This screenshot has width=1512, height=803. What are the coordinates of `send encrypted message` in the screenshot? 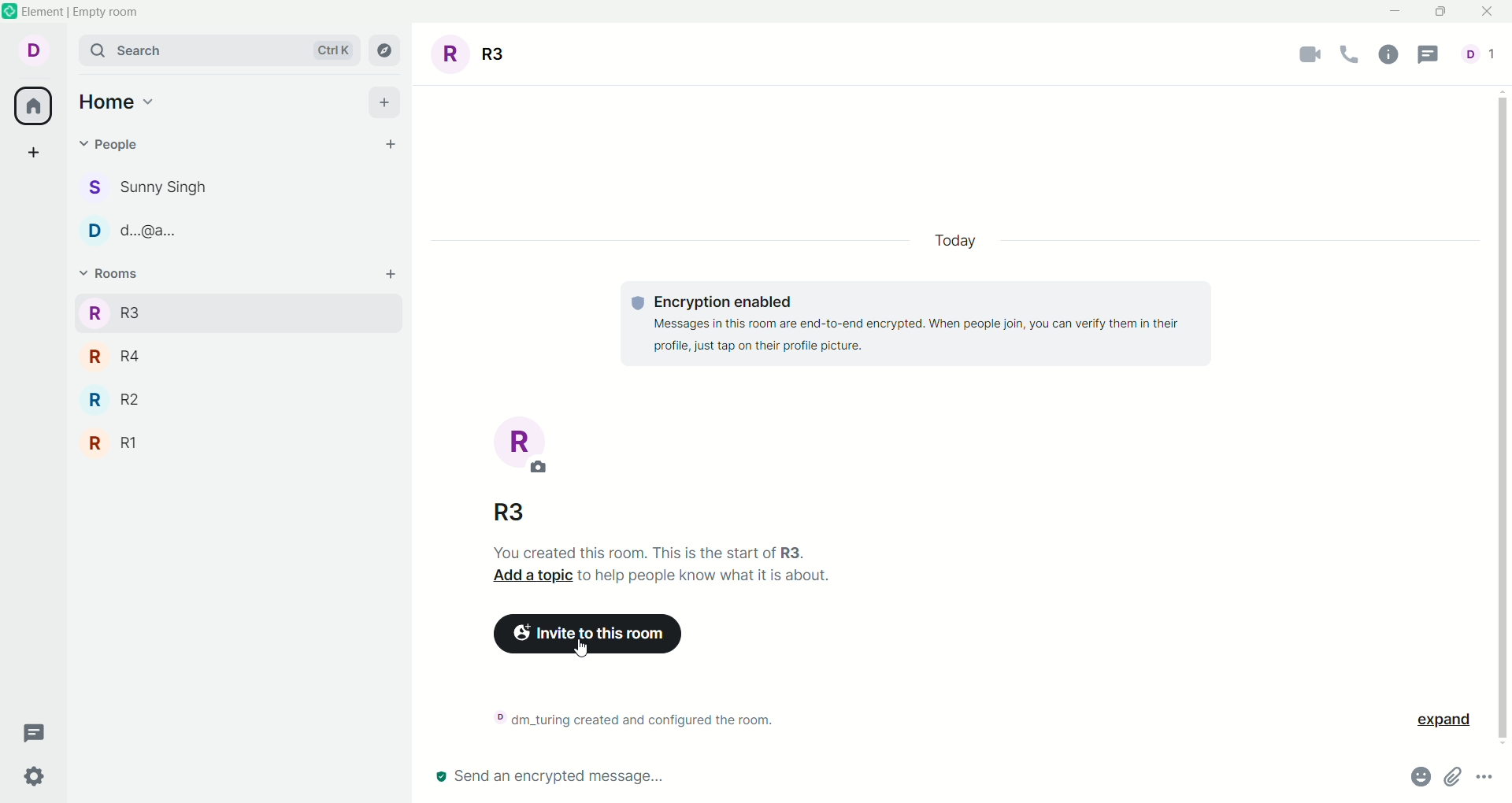 It's located at (554, 779).